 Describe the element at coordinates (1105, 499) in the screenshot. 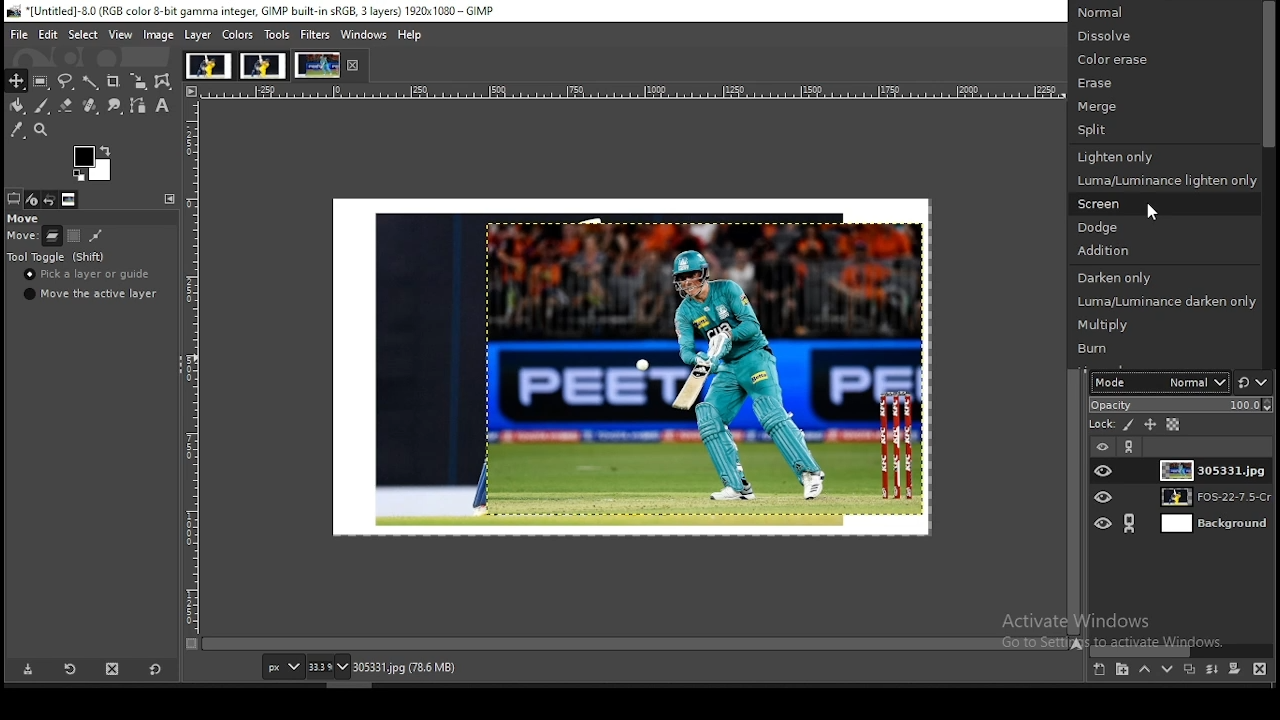

I see `layer visibility on/off` at that location.